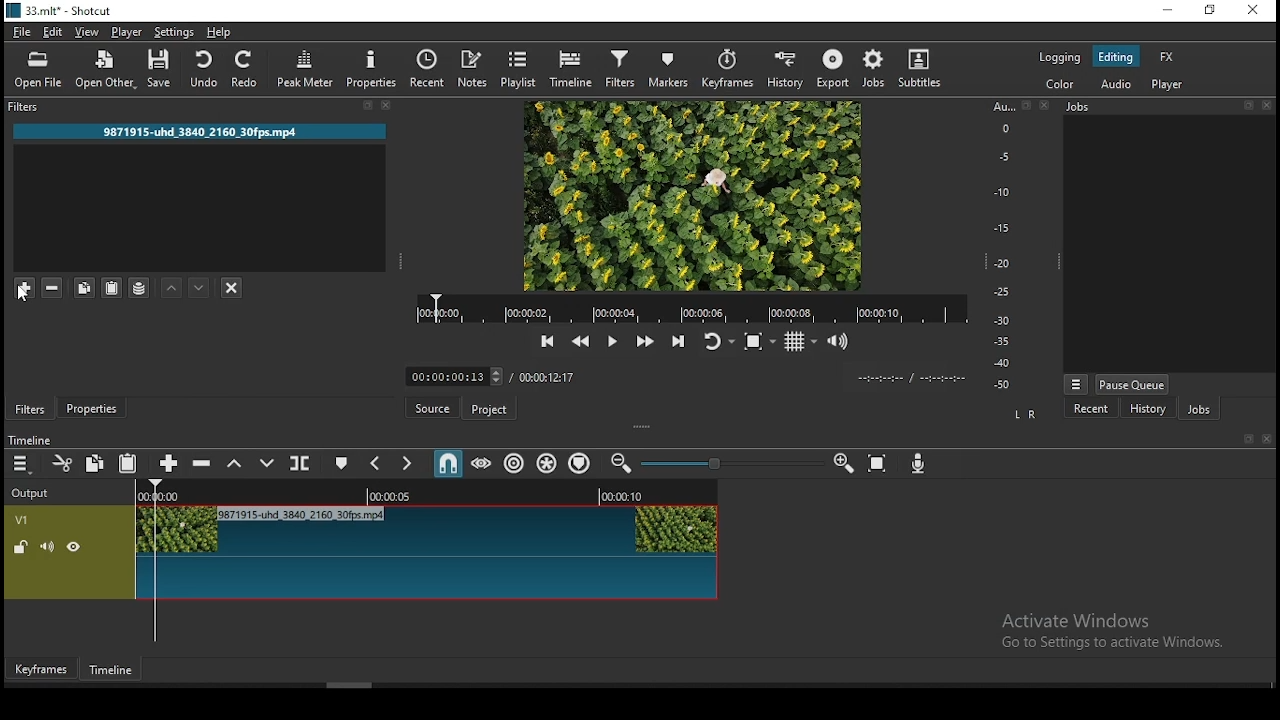 Image resolution: width=1280 pixels, height=720 pixels. I want to click on more, so click(1074, 383).